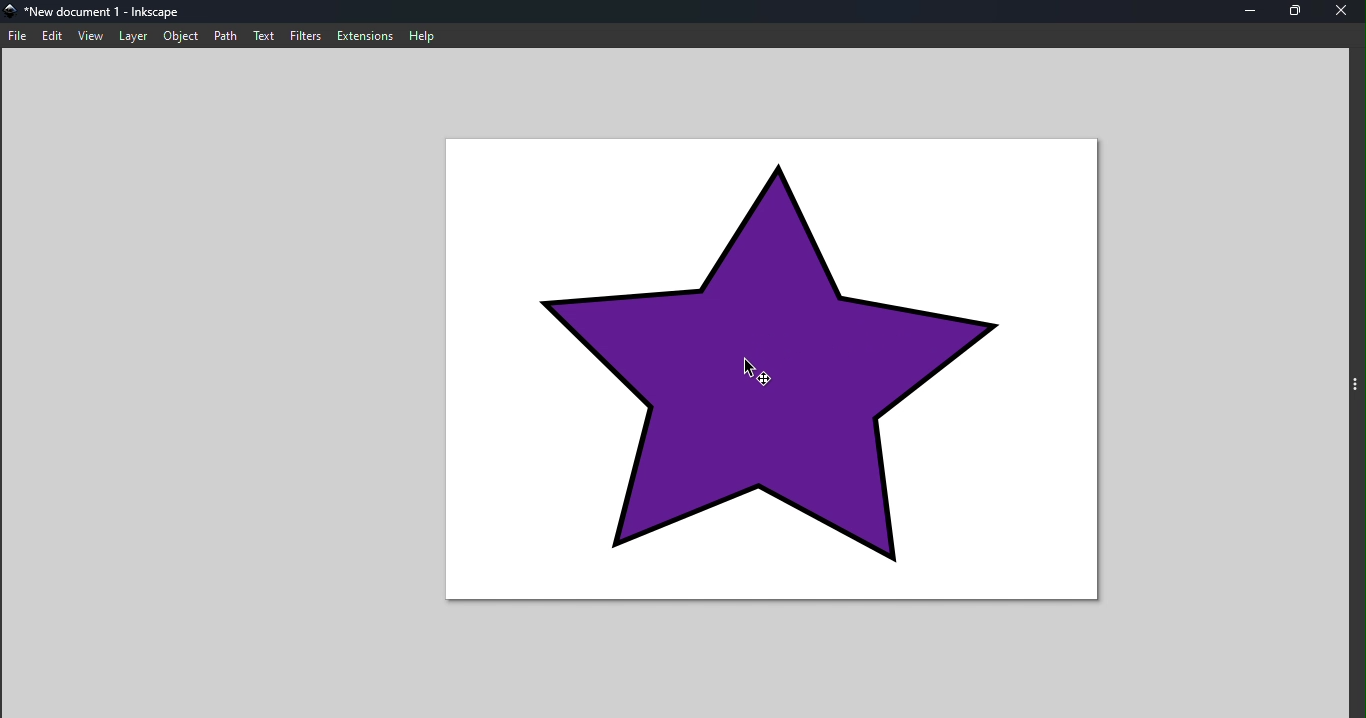 The image size is (1366, 718). I want to click on File, so click(17, 37).